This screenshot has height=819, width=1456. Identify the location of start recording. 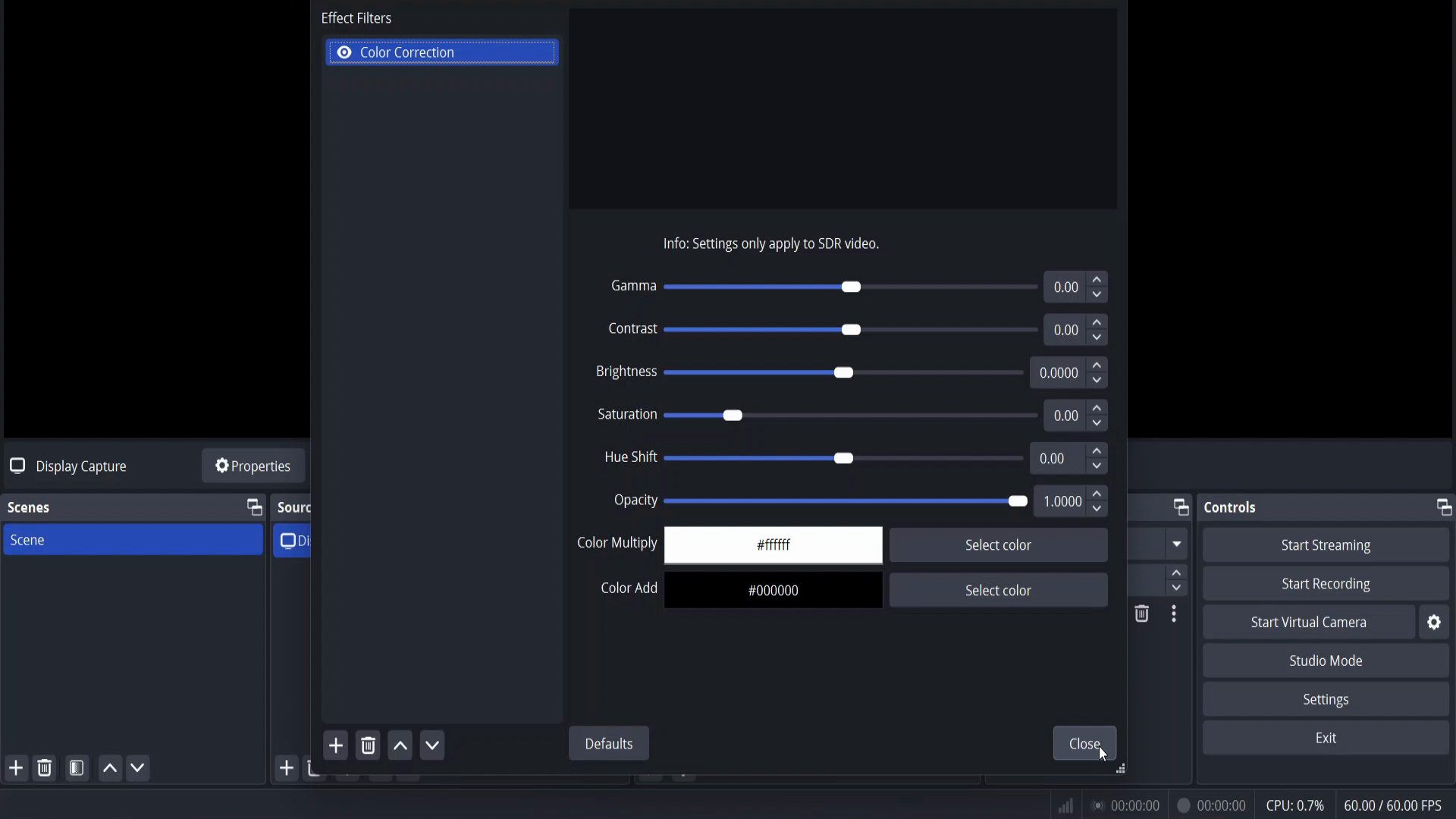
(1330, 585).